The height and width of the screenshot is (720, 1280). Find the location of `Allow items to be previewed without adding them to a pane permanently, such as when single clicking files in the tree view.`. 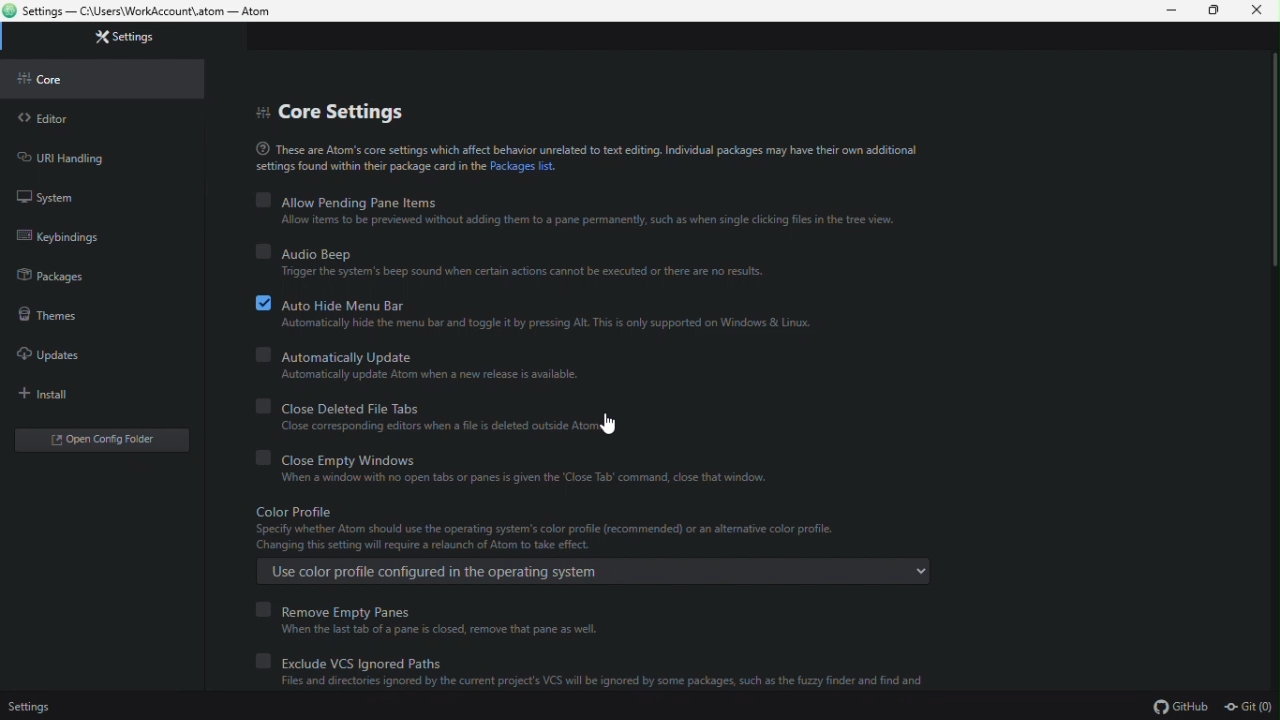

Allow items to be previewed without adding them to a pane permanently, such as when single clicking files in the tree view. is located at coordinates (579, 220).